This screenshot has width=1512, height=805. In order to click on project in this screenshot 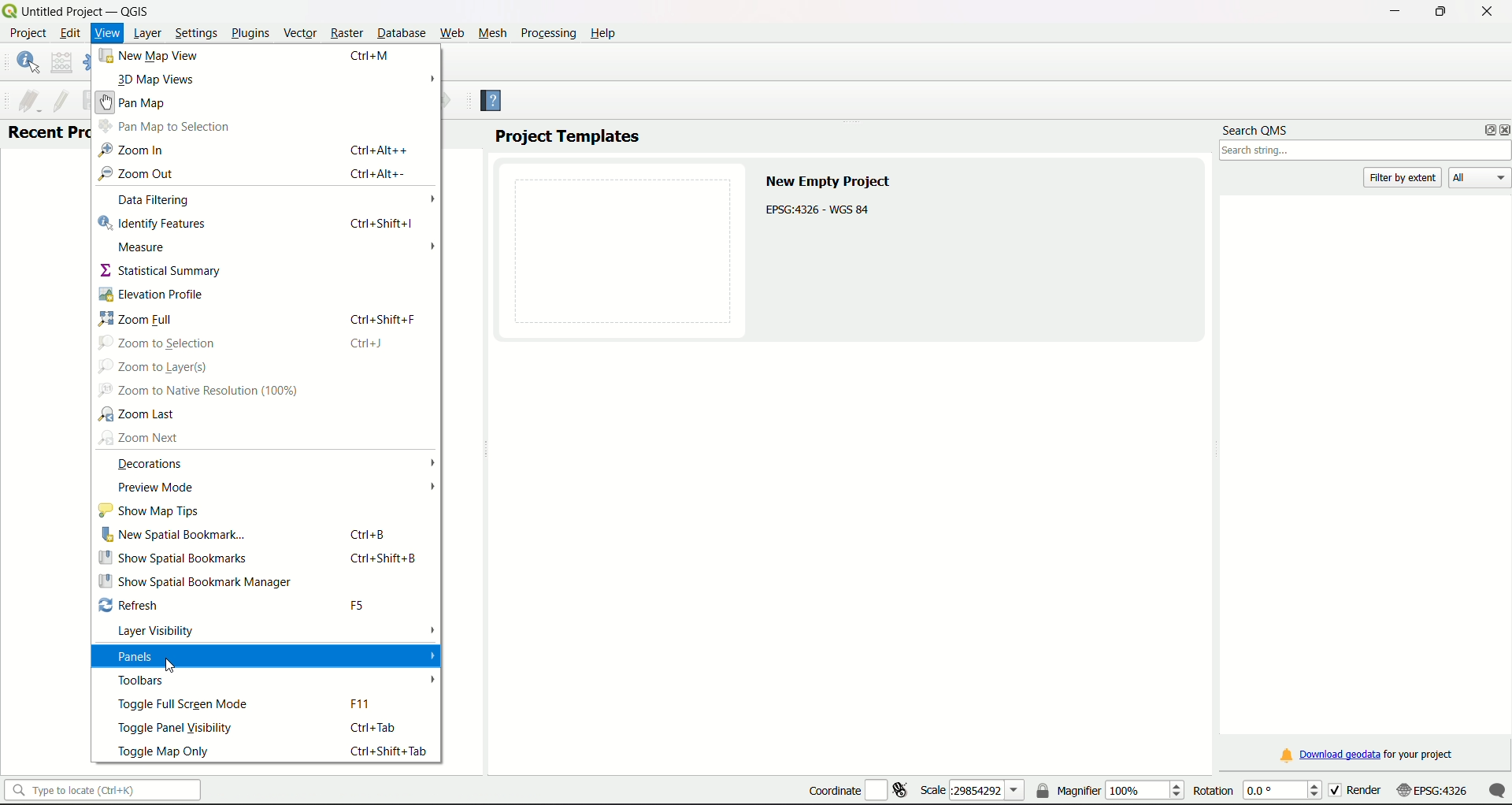, I will do `click(29, 35)`.